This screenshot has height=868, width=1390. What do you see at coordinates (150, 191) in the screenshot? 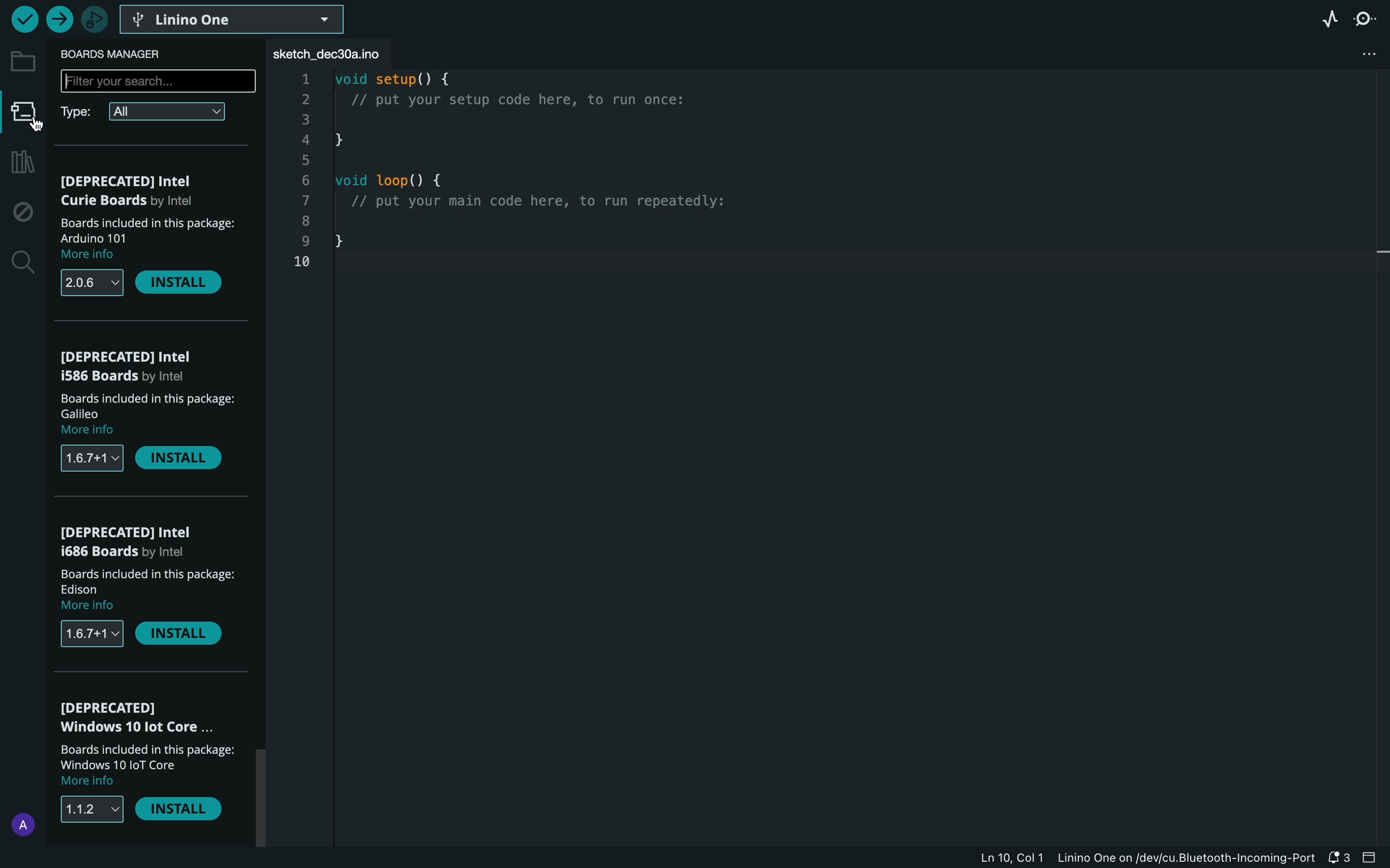
I see `intel board` at bounding box center [150, 191].